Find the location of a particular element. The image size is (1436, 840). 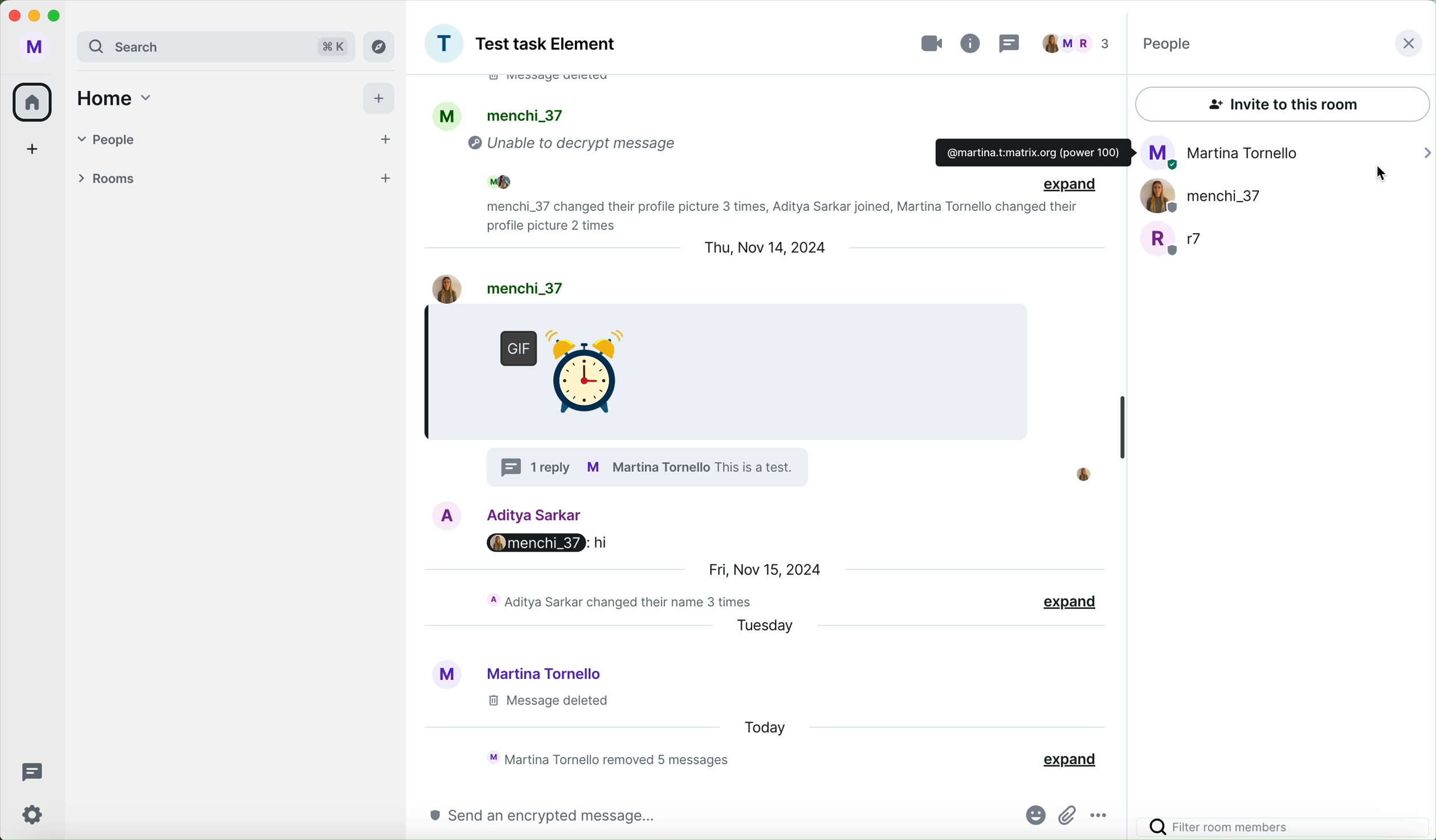

short cut is located at coordinates (327, 47).